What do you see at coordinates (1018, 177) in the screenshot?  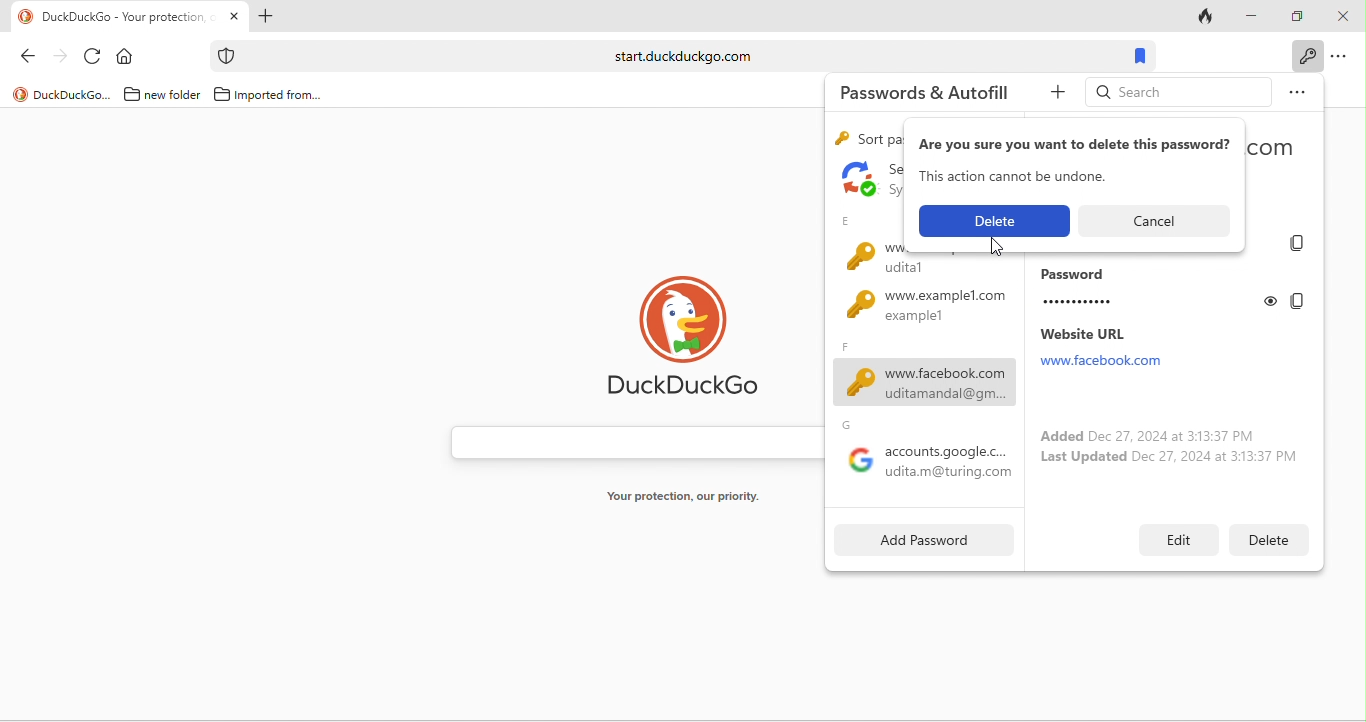 I see `this action cannot be undone` at bounding box center [1018, 177].